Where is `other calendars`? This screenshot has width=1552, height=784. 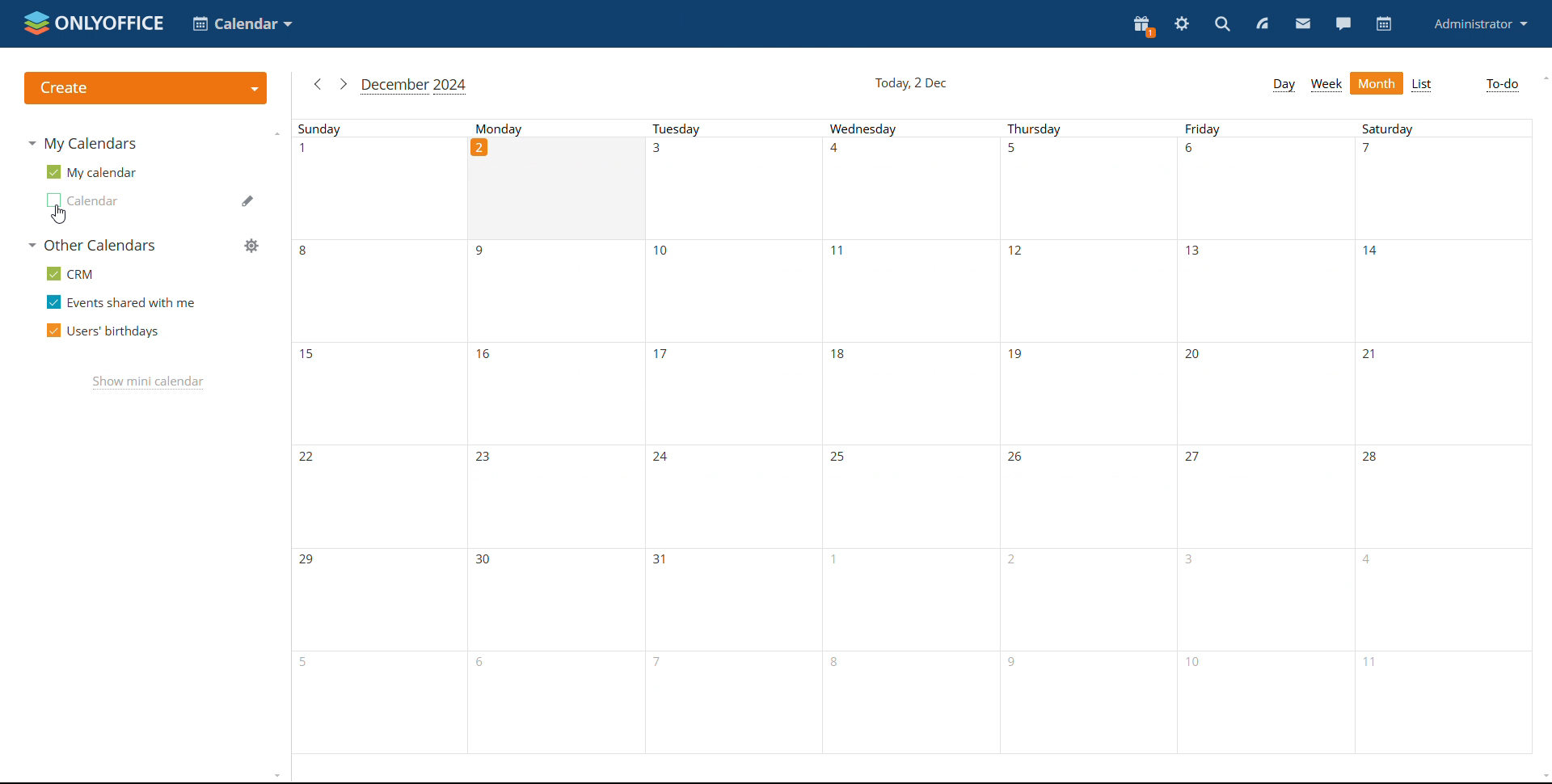
other calendars is located at coordinates (90, 246).